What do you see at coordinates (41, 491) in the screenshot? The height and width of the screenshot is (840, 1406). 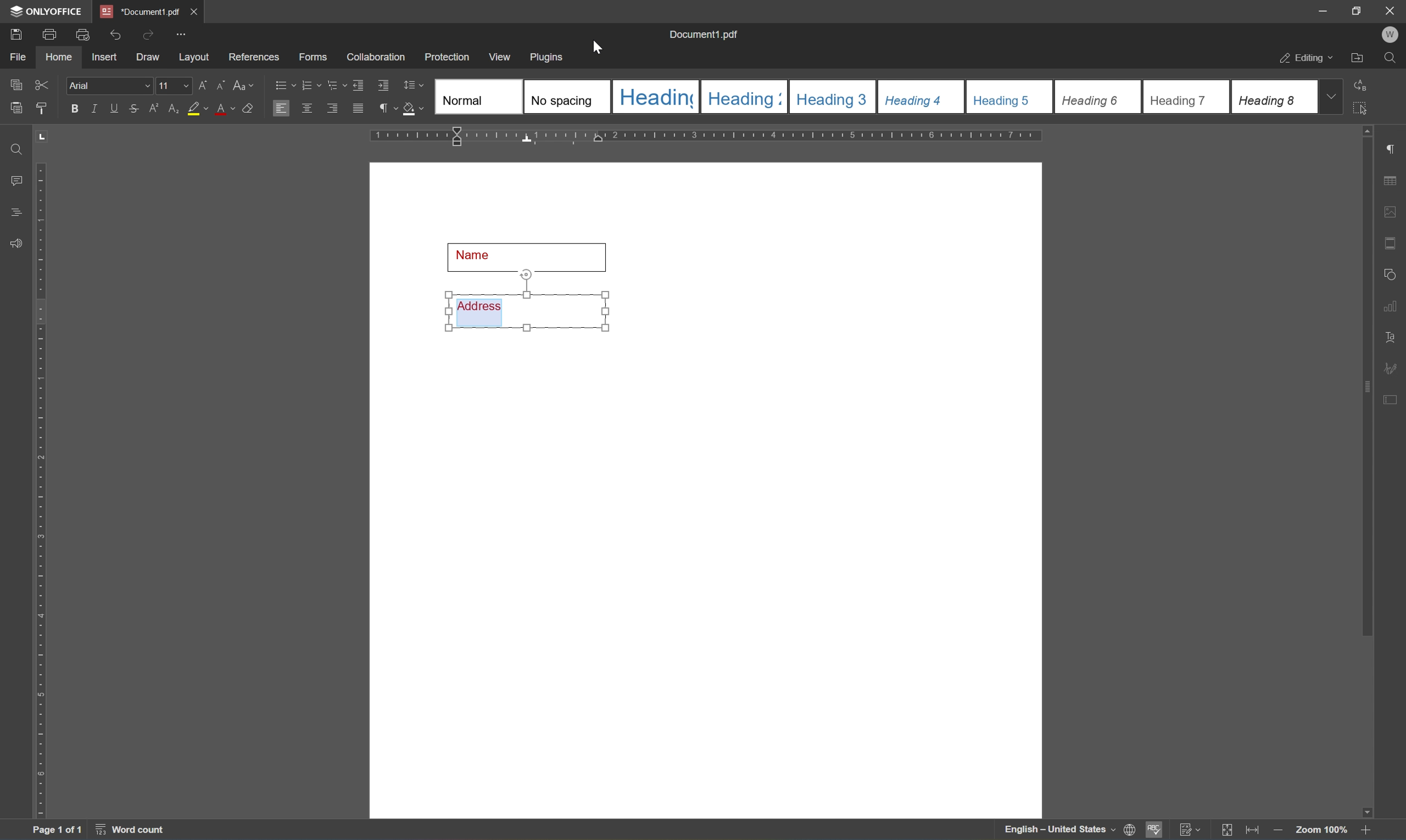 I see `ruler` at bounding box center [41, 491].